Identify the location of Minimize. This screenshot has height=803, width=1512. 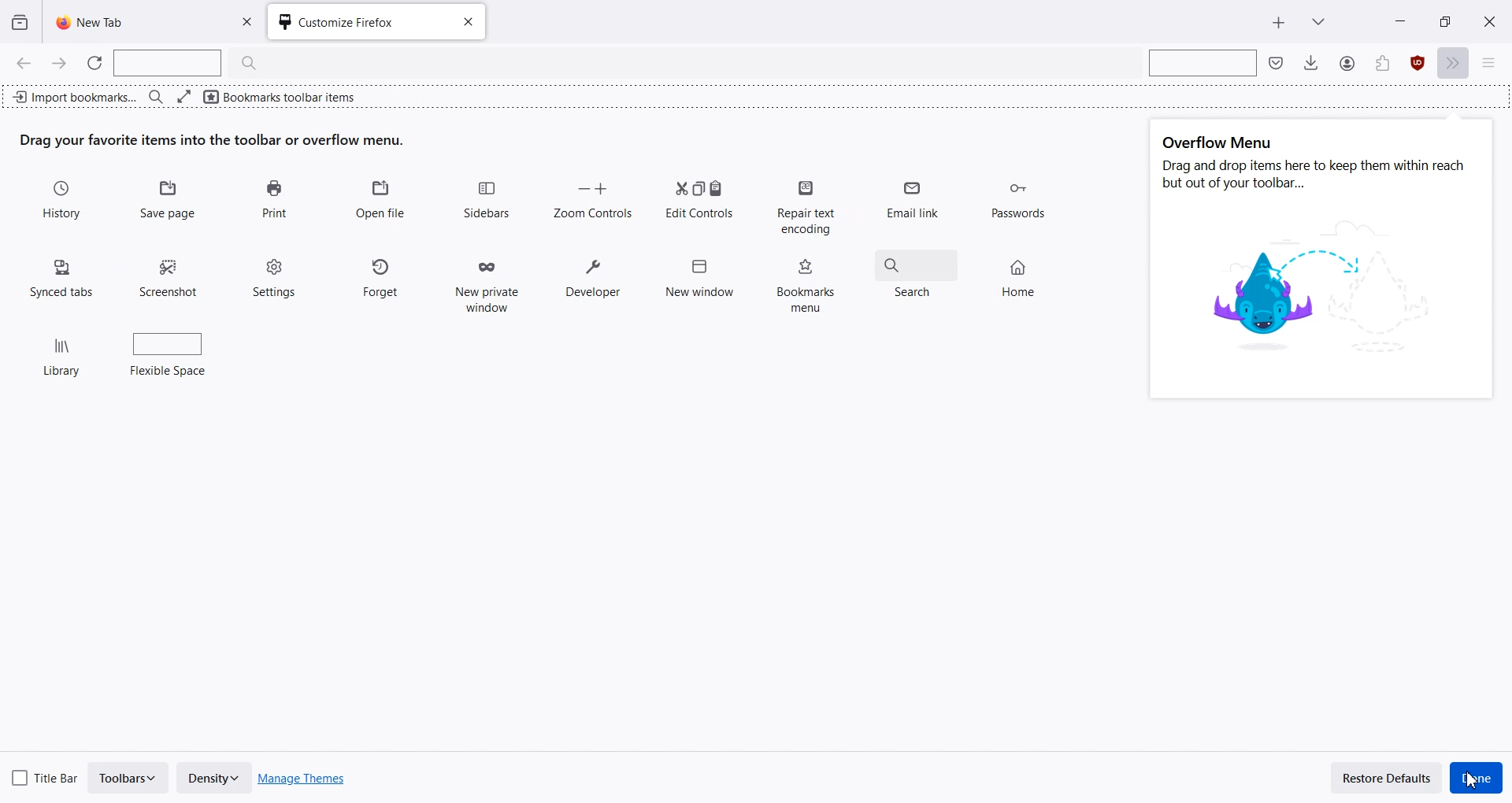
(1401, 20).